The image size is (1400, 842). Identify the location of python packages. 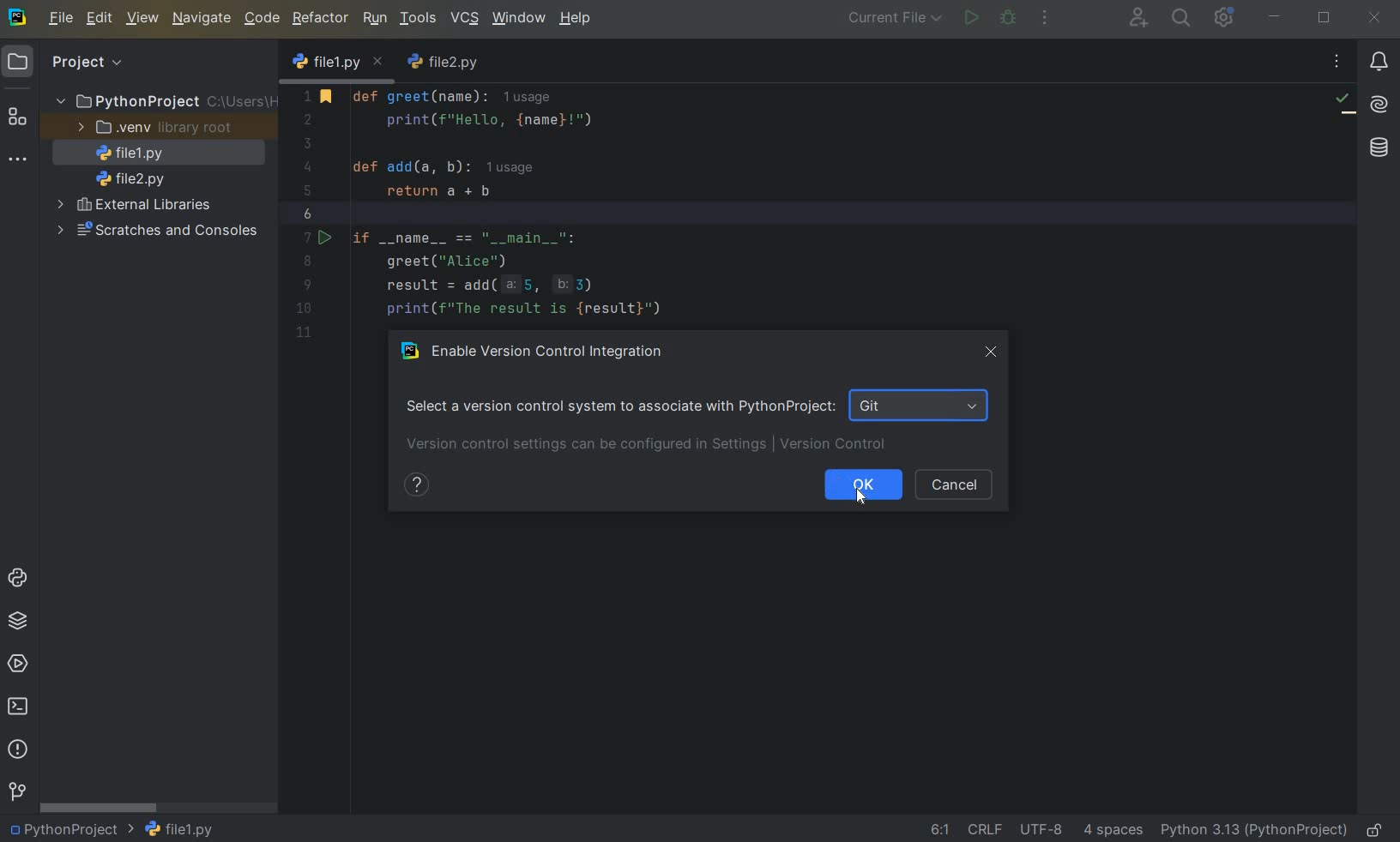
(18, 621).